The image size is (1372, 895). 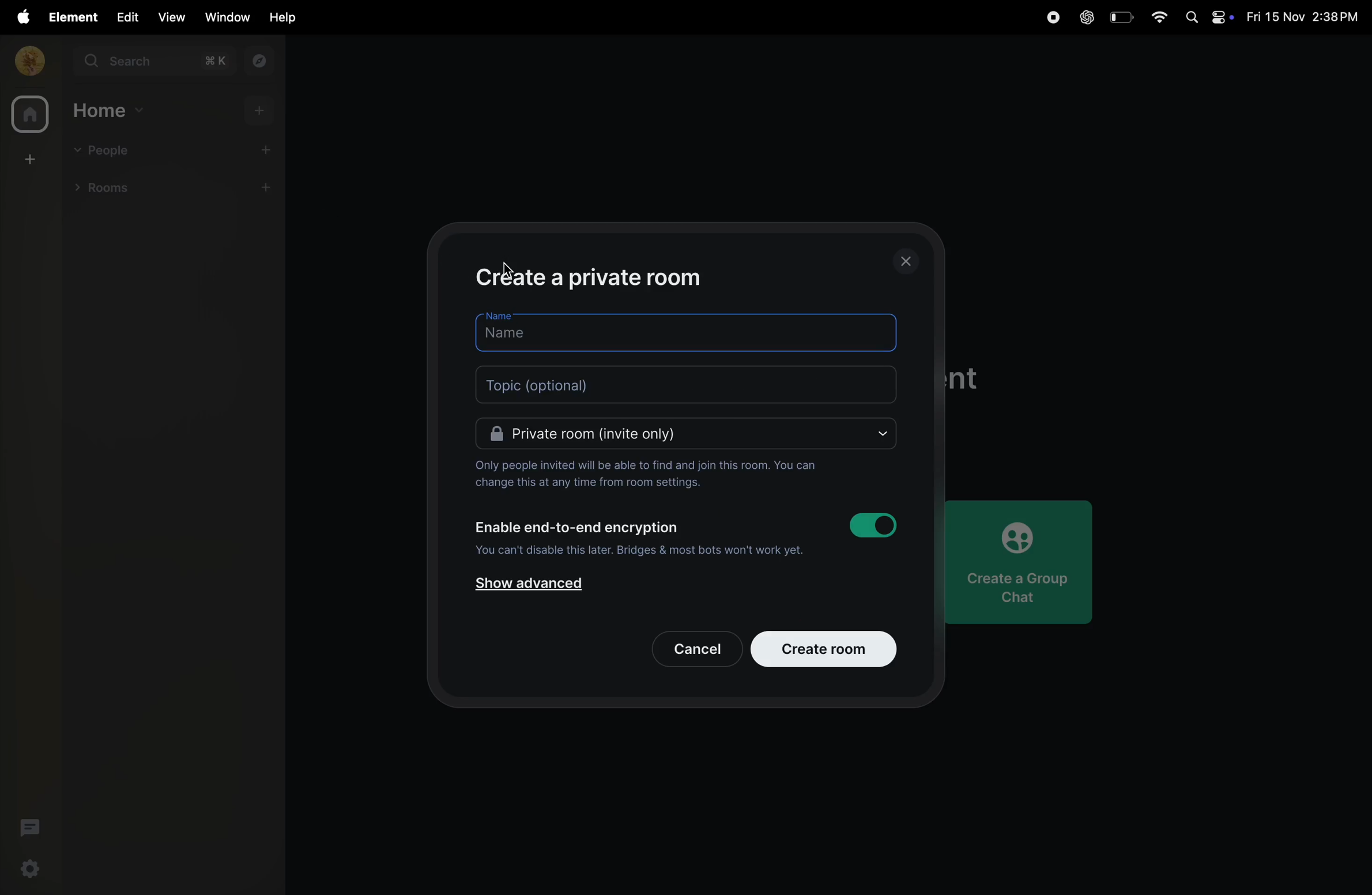 What do you see at coordinates (258, 149) in the screenshot?
I see `add people` at bounding box center [258, 149].